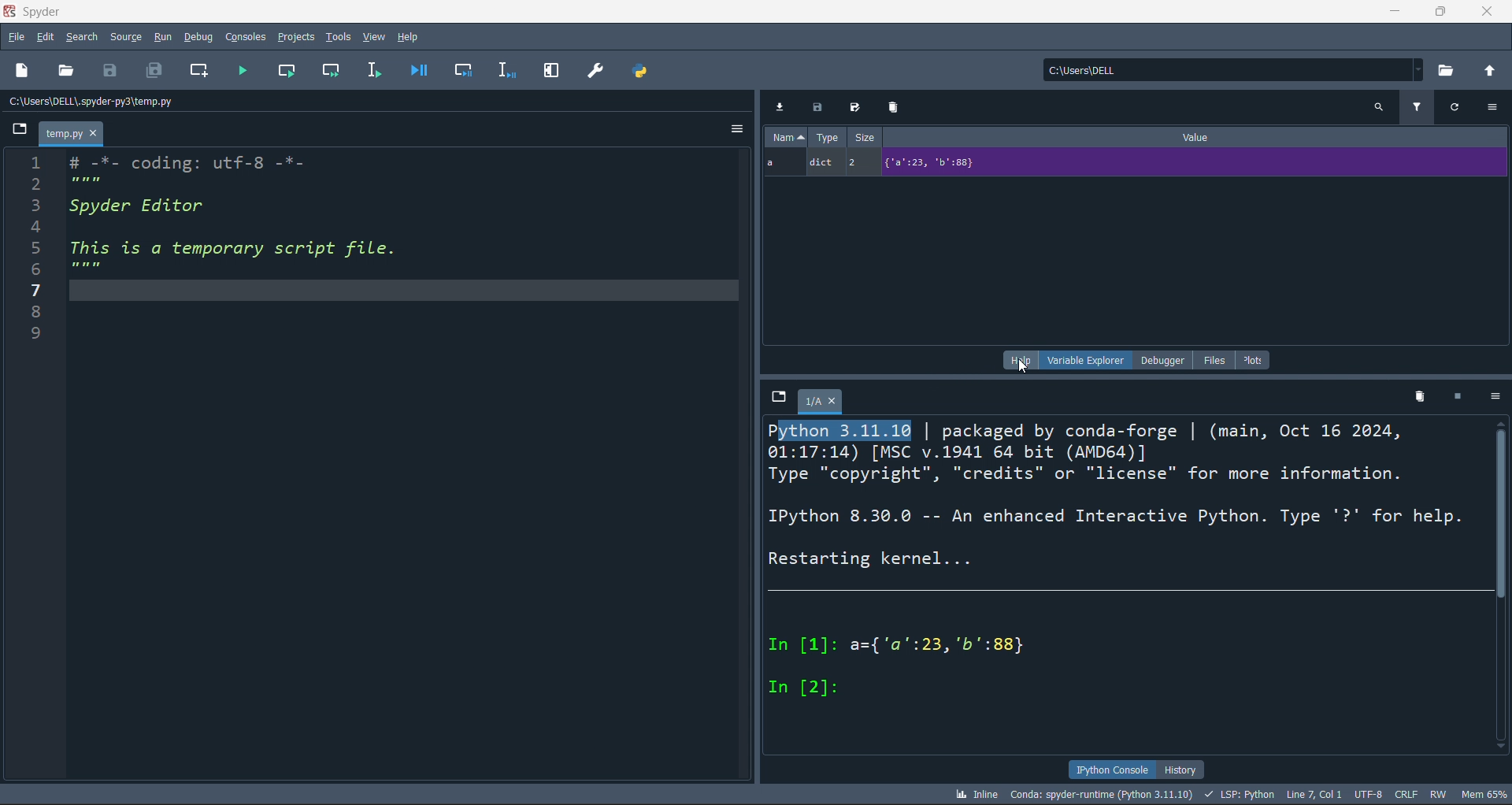  I want to click on view, so click(376, 35).